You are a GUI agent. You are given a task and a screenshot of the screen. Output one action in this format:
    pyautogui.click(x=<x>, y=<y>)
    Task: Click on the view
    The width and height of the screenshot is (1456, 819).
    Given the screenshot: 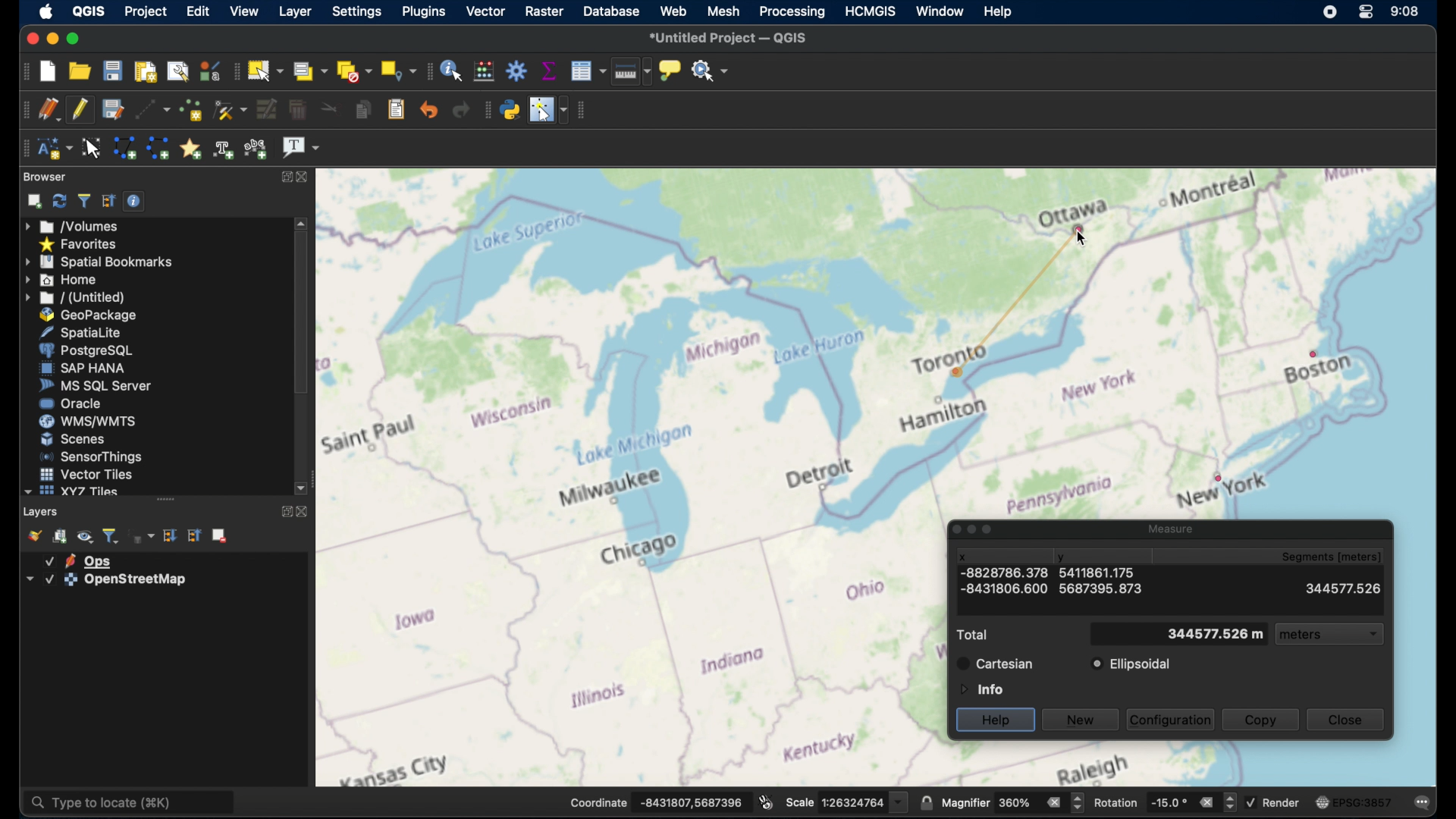 What is the action you would take?
    pyautogui.click(x=243, y=11)
    